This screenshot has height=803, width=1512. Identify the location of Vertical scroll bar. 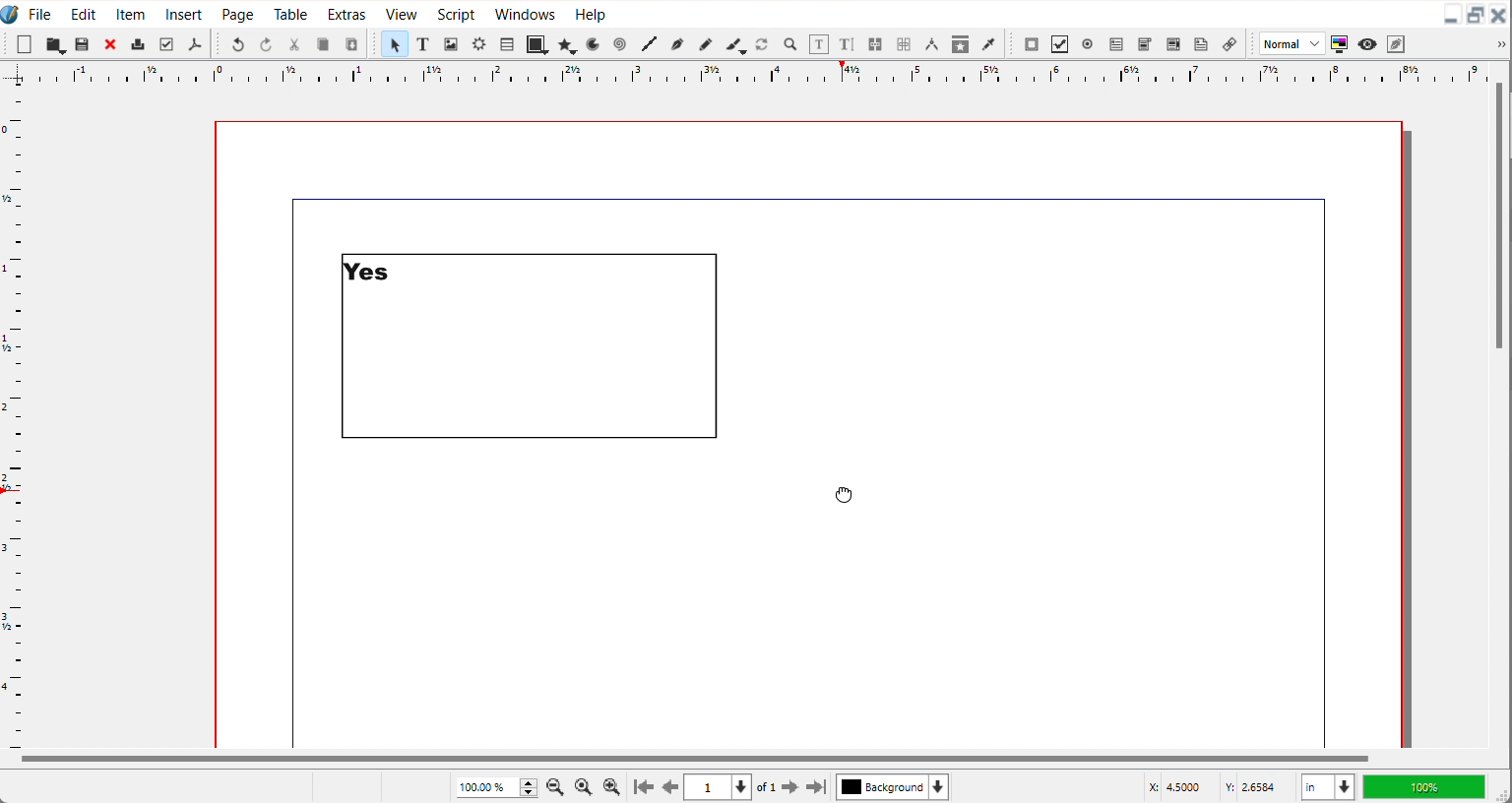
(1499, 217).